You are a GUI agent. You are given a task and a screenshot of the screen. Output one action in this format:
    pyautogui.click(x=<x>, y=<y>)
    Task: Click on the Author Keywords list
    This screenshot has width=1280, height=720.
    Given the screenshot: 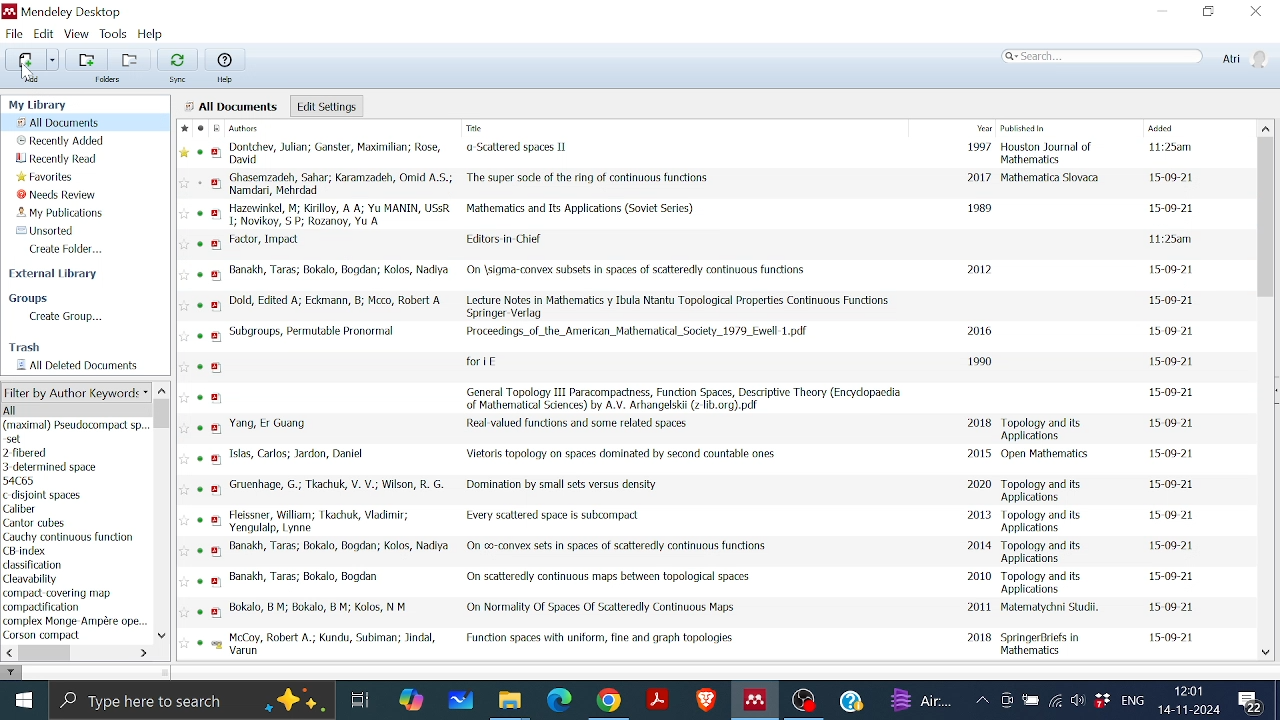 What is the action you would take?
    pyautogui.click(x=76, y=427)
    